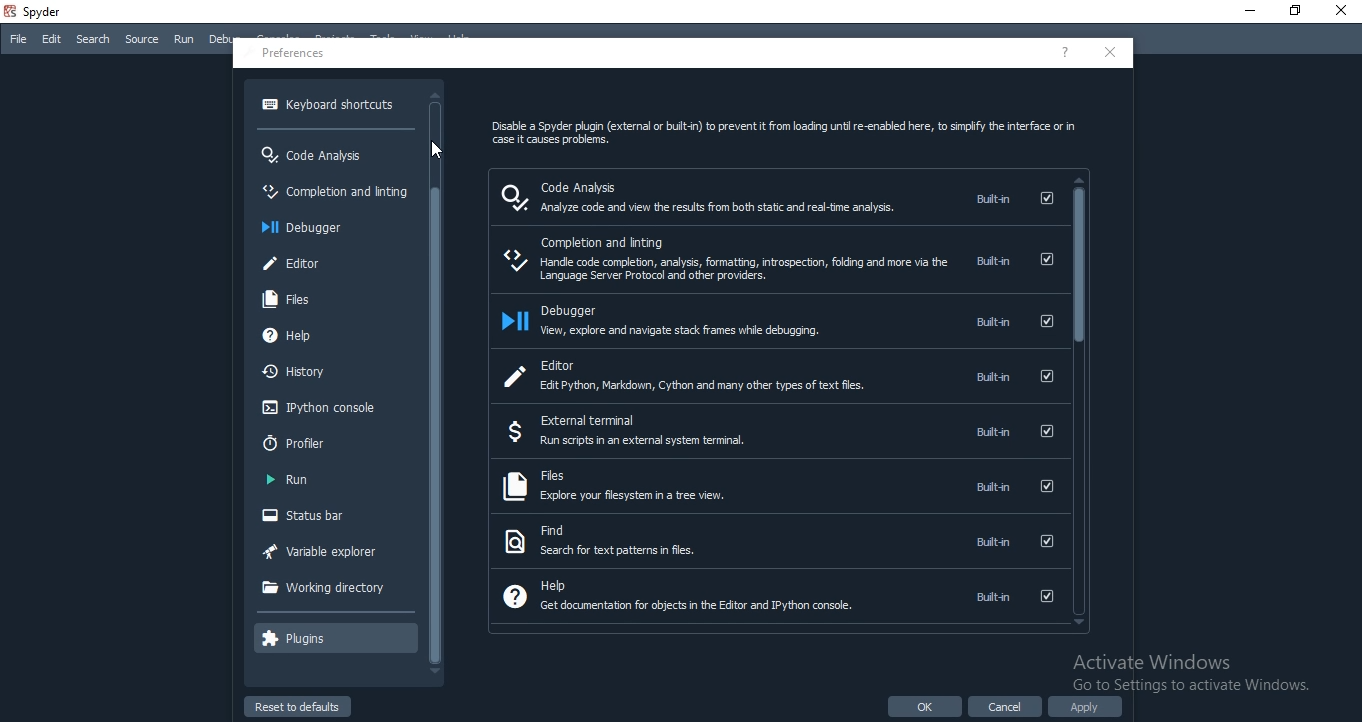  Describe the element at coordinates (616, 554) in the screenshot. I see `¥ Search for text pattems in files.` at that location.